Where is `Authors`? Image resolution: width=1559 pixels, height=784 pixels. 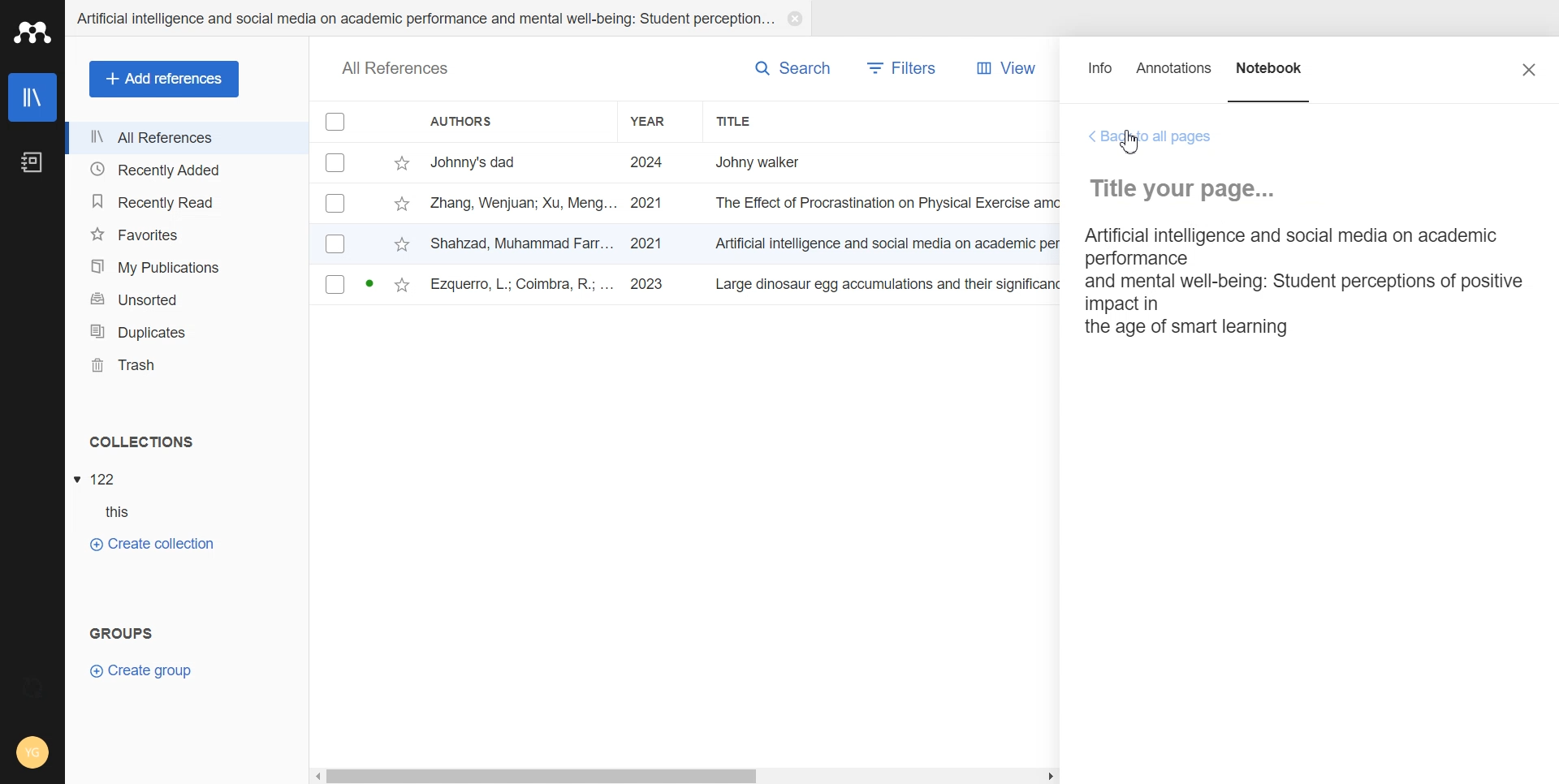
Authors is located at coordinates (514, 121).